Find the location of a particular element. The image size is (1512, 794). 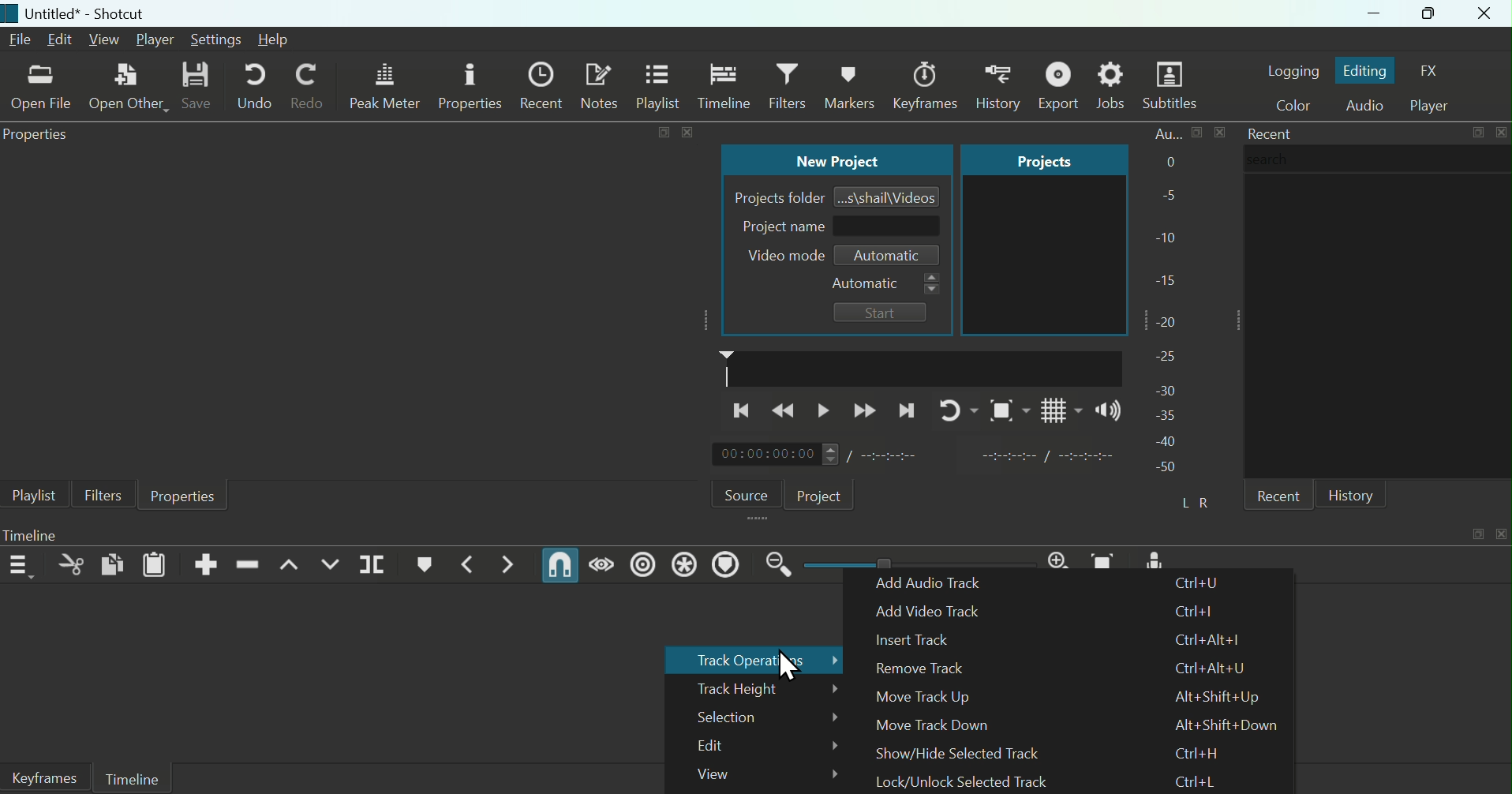

close is located at coordinates (1500, 534).